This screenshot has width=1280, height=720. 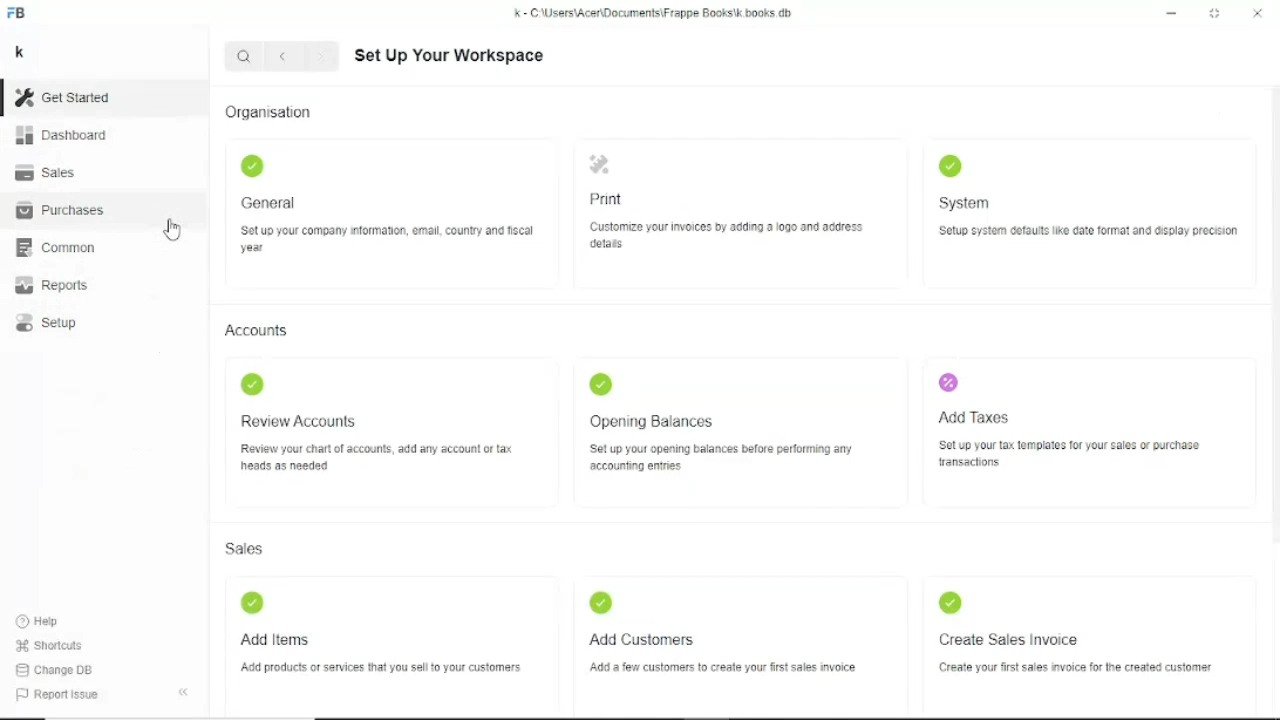 What do you see at coordinates (62, 136) in the screenshot?
I see `Dashboard` at bounding box center [62, 136].